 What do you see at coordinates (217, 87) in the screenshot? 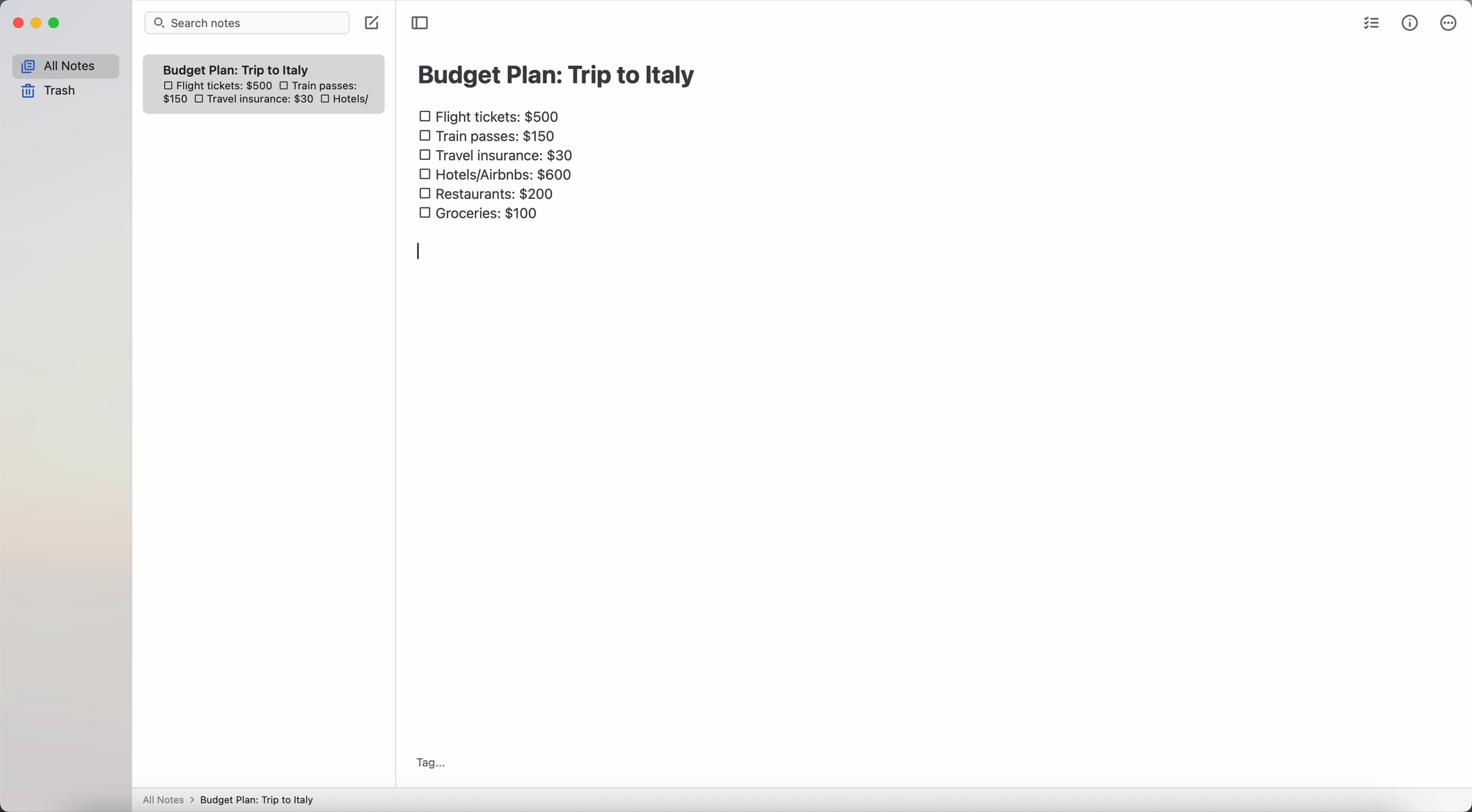
I see `flight tickets: $500` at bounding box center [217, 87].